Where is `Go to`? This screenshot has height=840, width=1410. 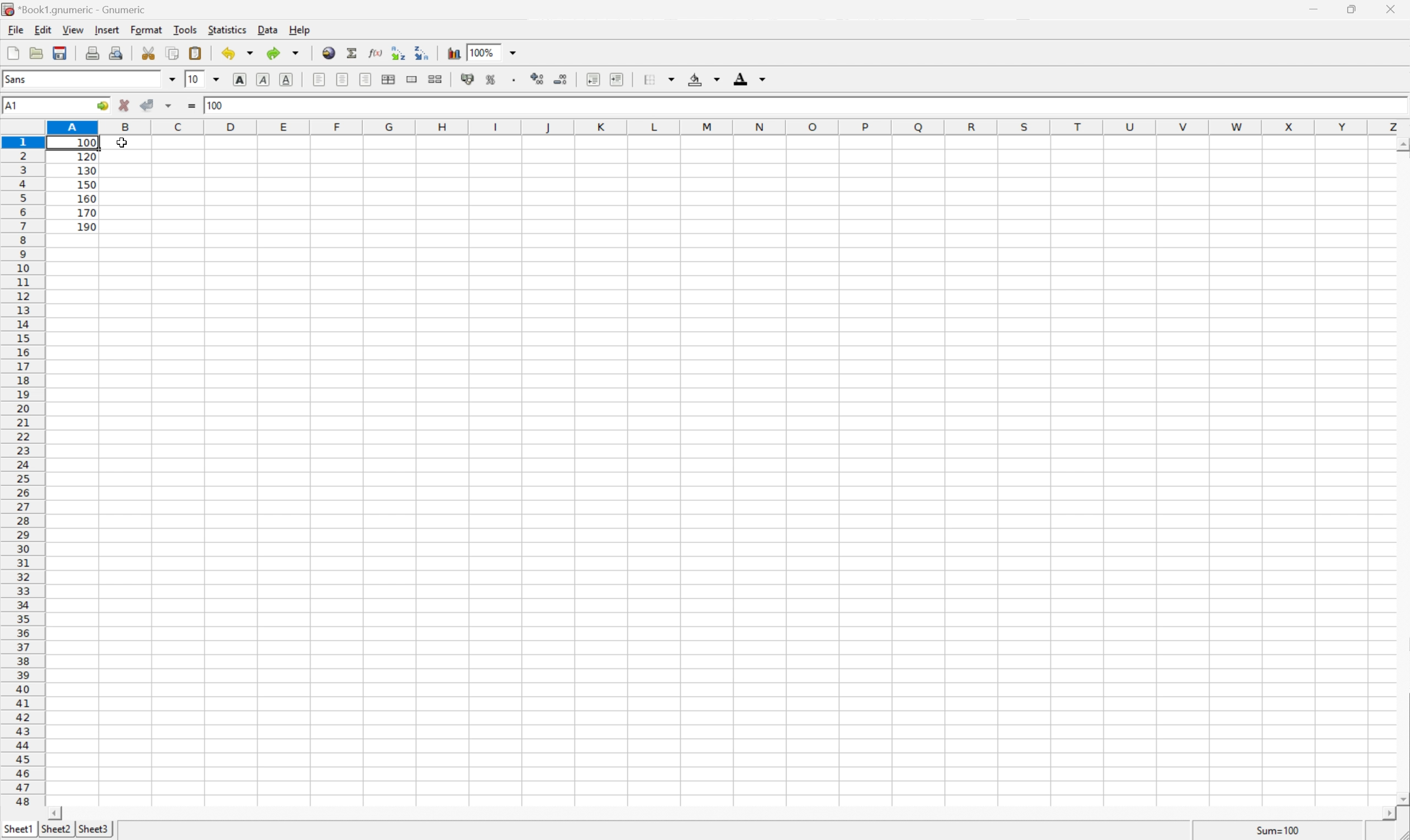
Go to is located at coordinates (103, 106).